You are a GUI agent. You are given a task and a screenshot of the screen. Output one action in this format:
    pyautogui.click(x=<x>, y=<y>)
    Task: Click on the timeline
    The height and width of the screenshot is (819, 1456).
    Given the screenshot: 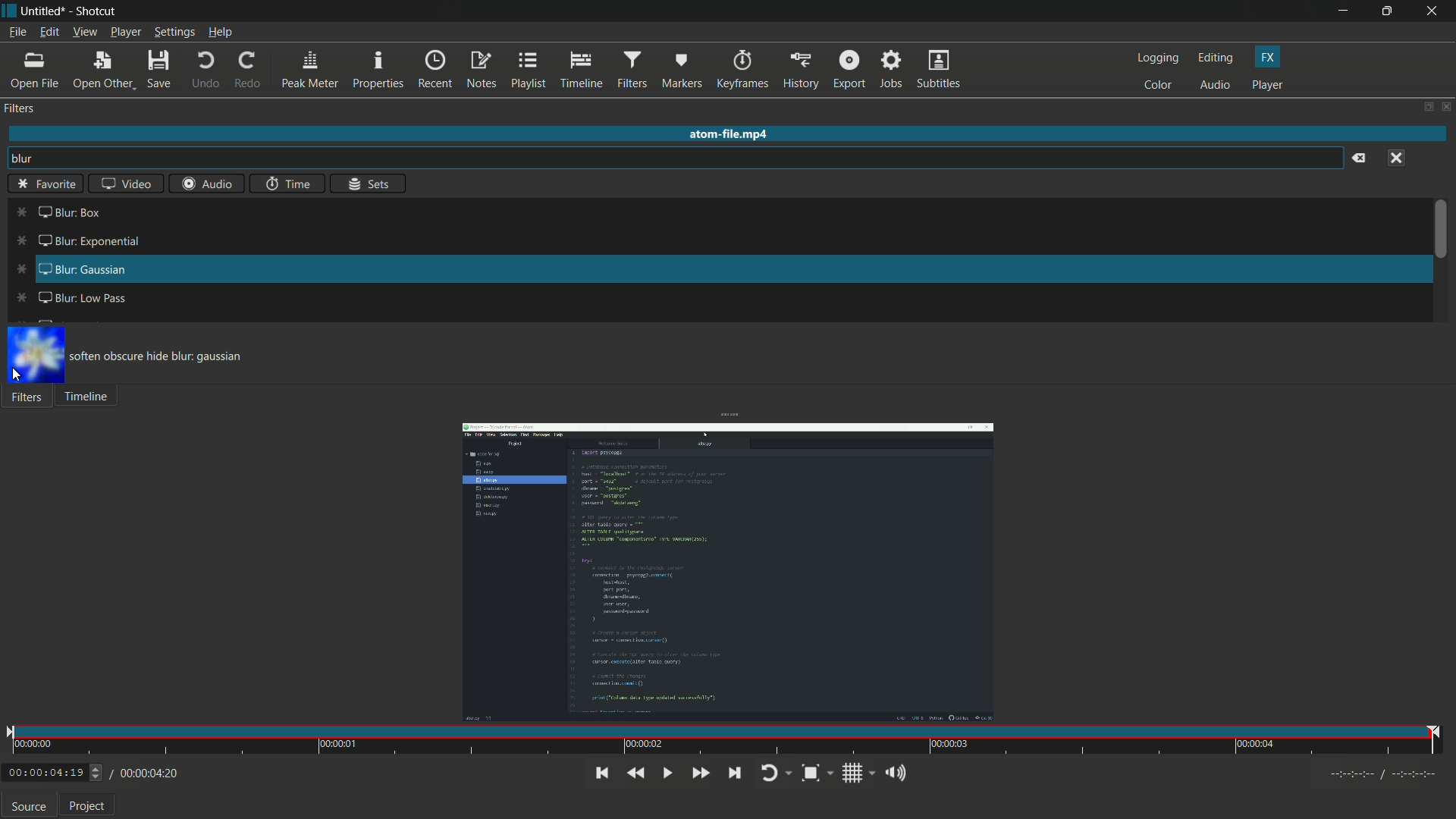 What is the action you would take?
    pyautogui.click(x=579, y=71)
    